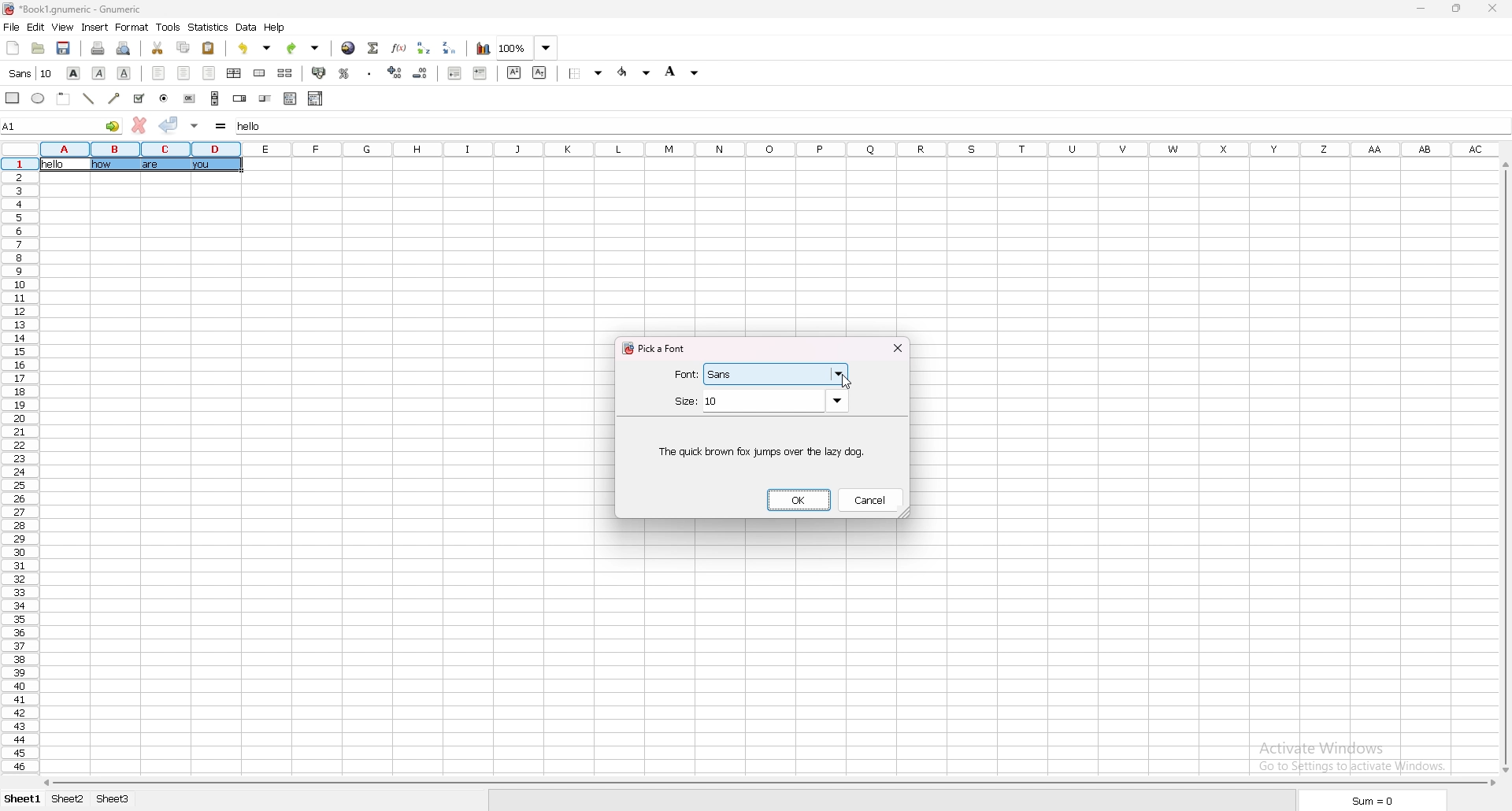 This screenshot has height=811, width=1512. I want to click on selected cell row, so click(19, 164).